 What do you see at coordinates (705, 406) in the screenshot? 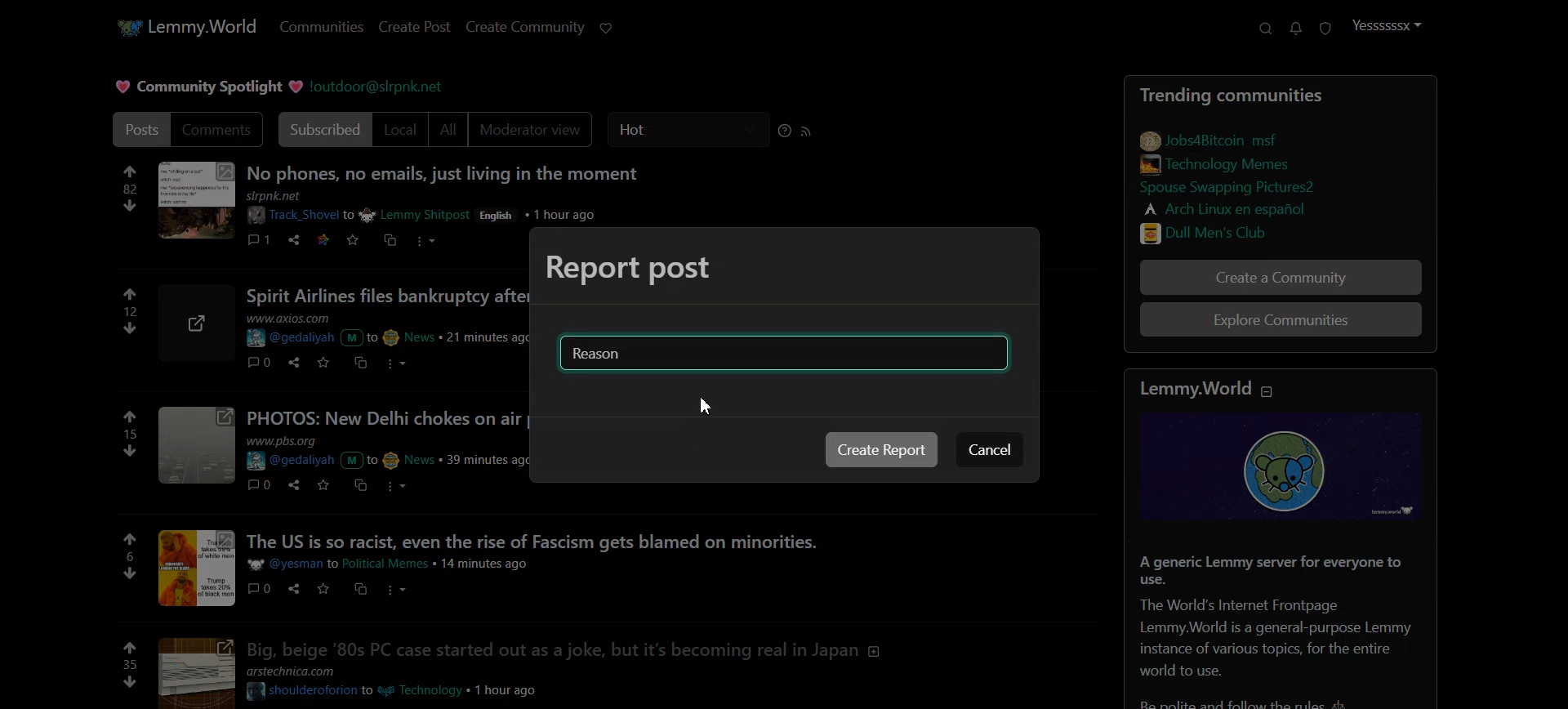
I see `Cursor` at bounding box center [705, 406].